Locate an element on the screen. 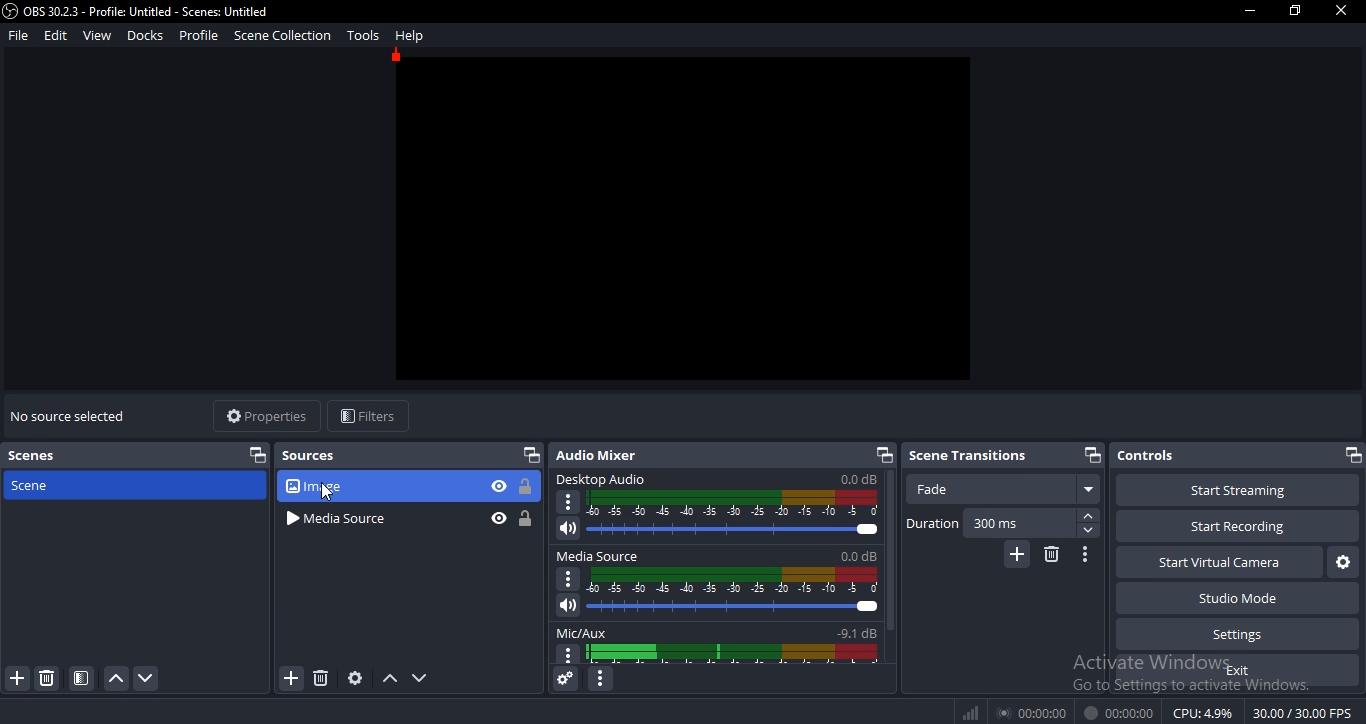 This screenshot has width=1366, height=724. fade is located at coordinates (1007, 490).